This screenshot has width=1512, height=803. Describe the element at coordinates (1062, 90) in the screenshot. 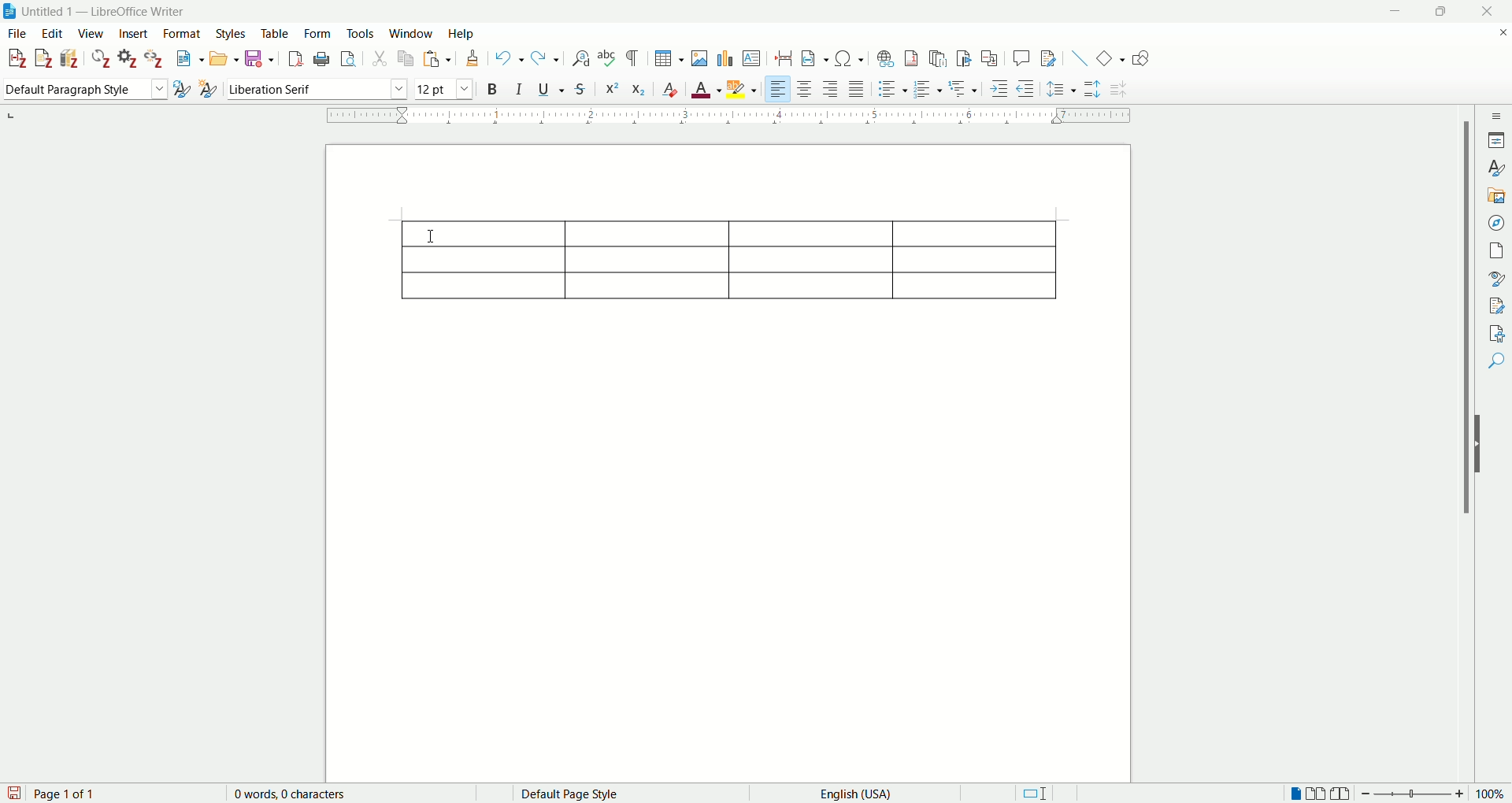

I see `set line spacing` at that location.